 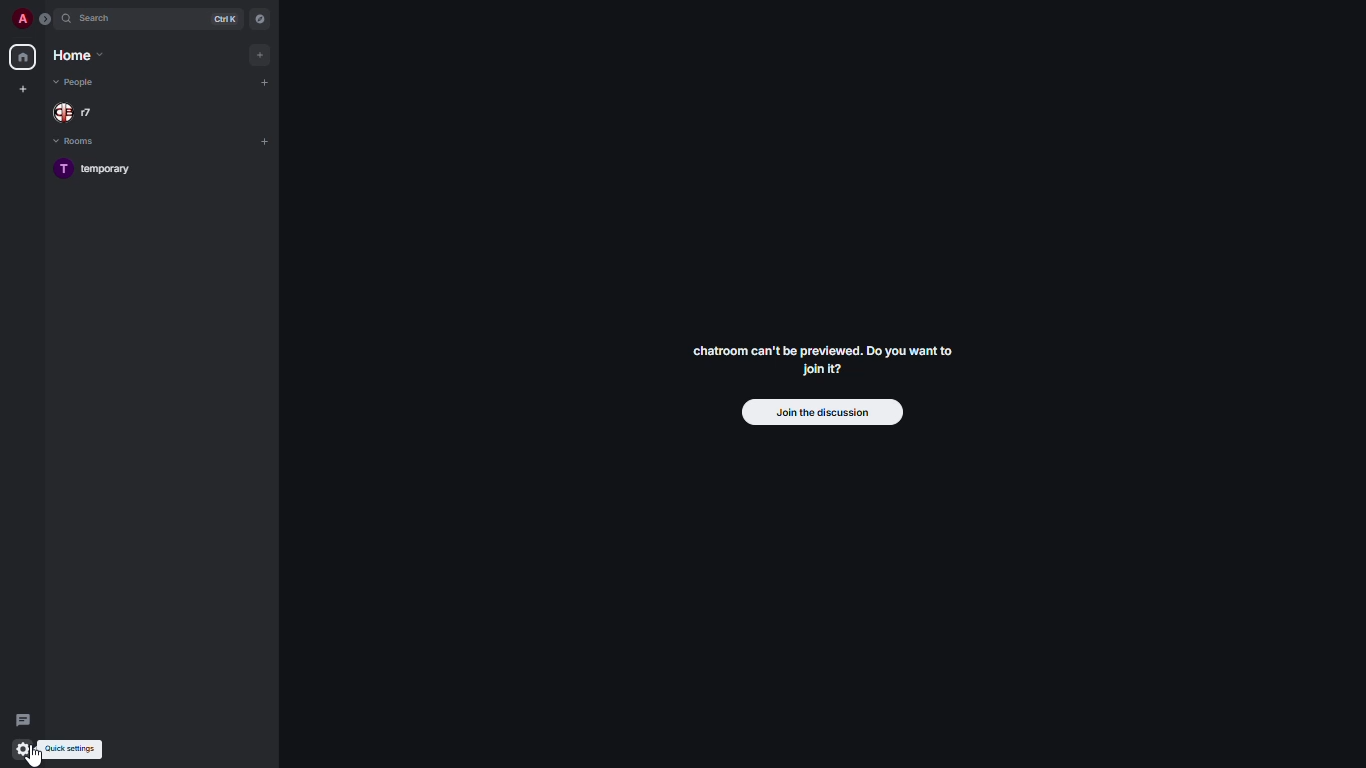 What do you see at coordinates (262, 54) in the screenshot?
I see `add` at bounding box center [262, 54].